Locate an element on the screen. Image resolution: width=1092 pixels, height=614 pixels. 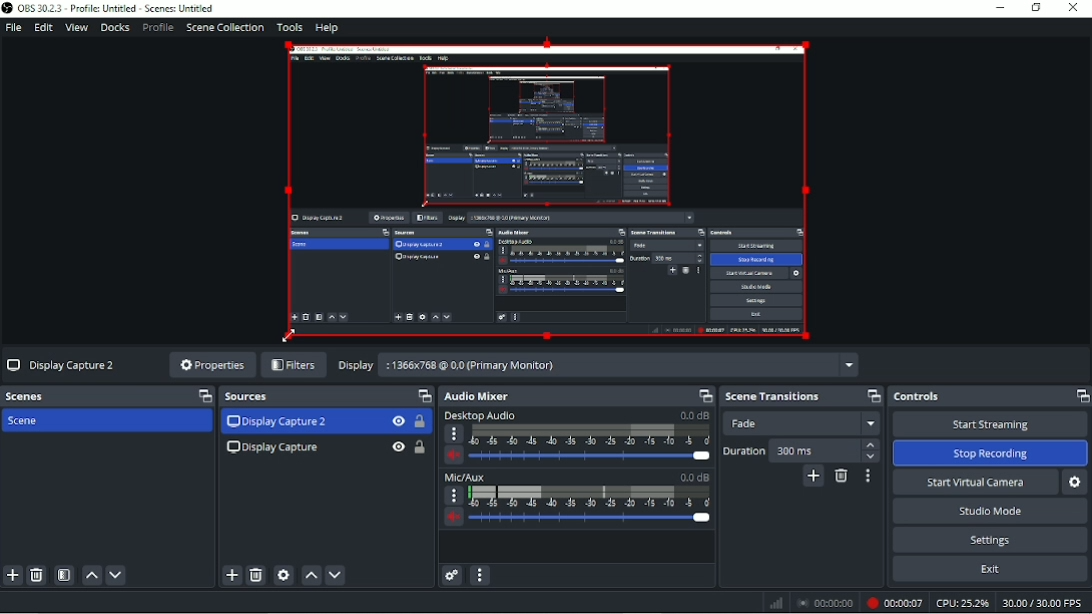
slider is located at coordinates (592, 521).